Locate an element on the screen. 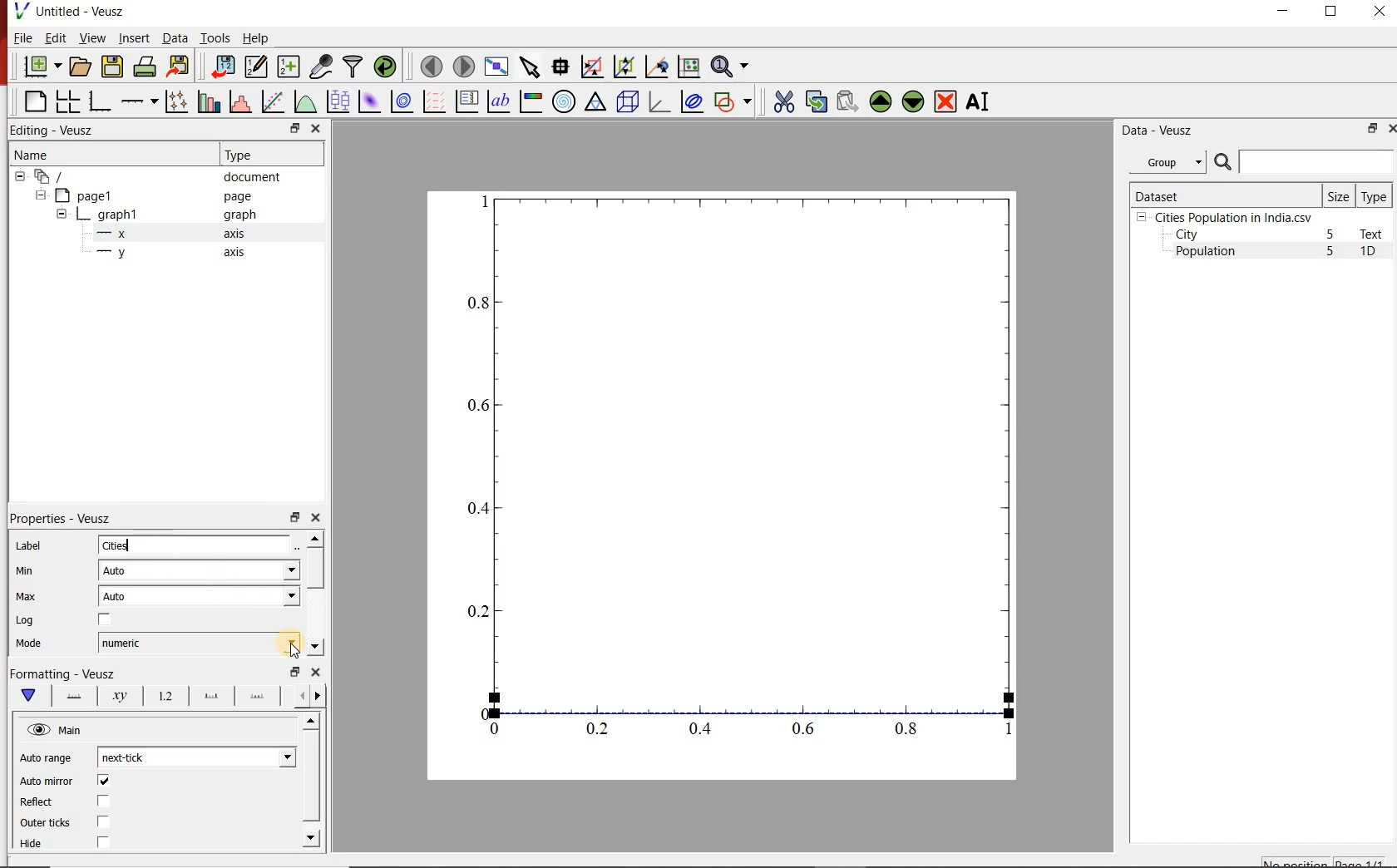  numeric is located at coordinates (198, 643).